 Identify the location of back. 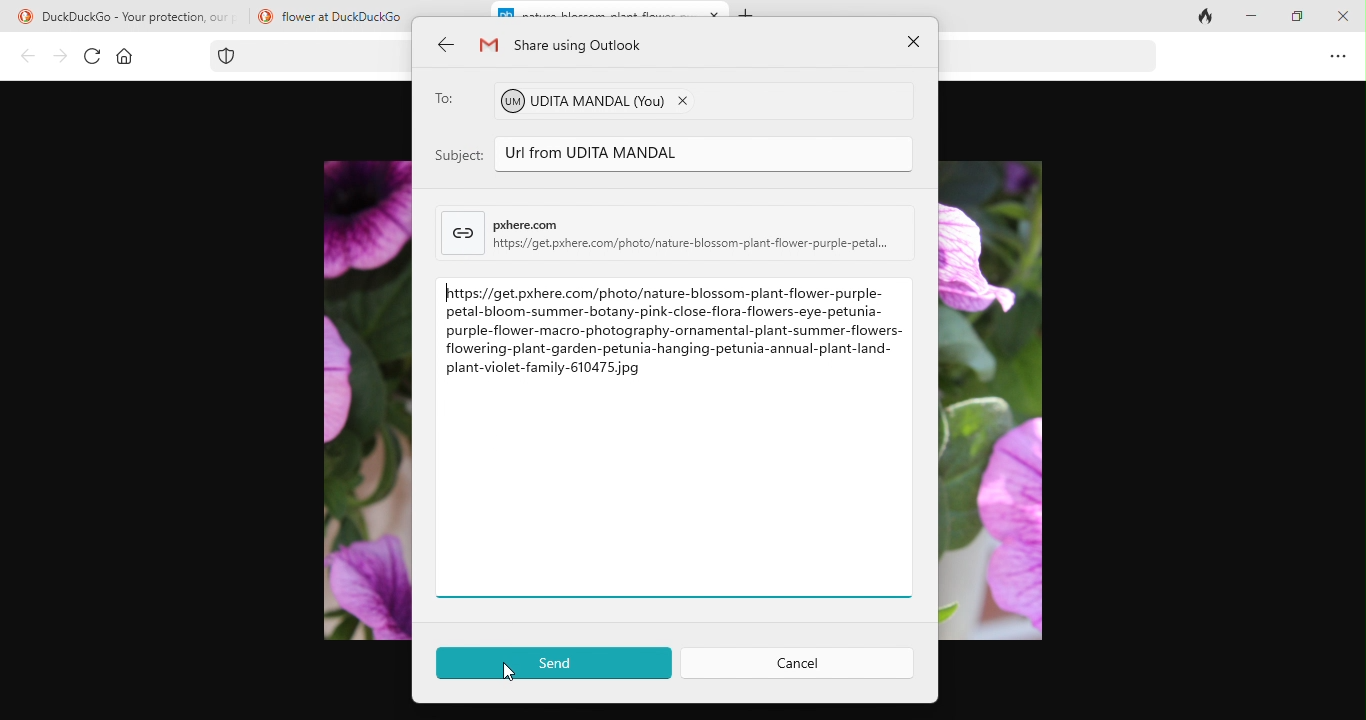
(441, 45).